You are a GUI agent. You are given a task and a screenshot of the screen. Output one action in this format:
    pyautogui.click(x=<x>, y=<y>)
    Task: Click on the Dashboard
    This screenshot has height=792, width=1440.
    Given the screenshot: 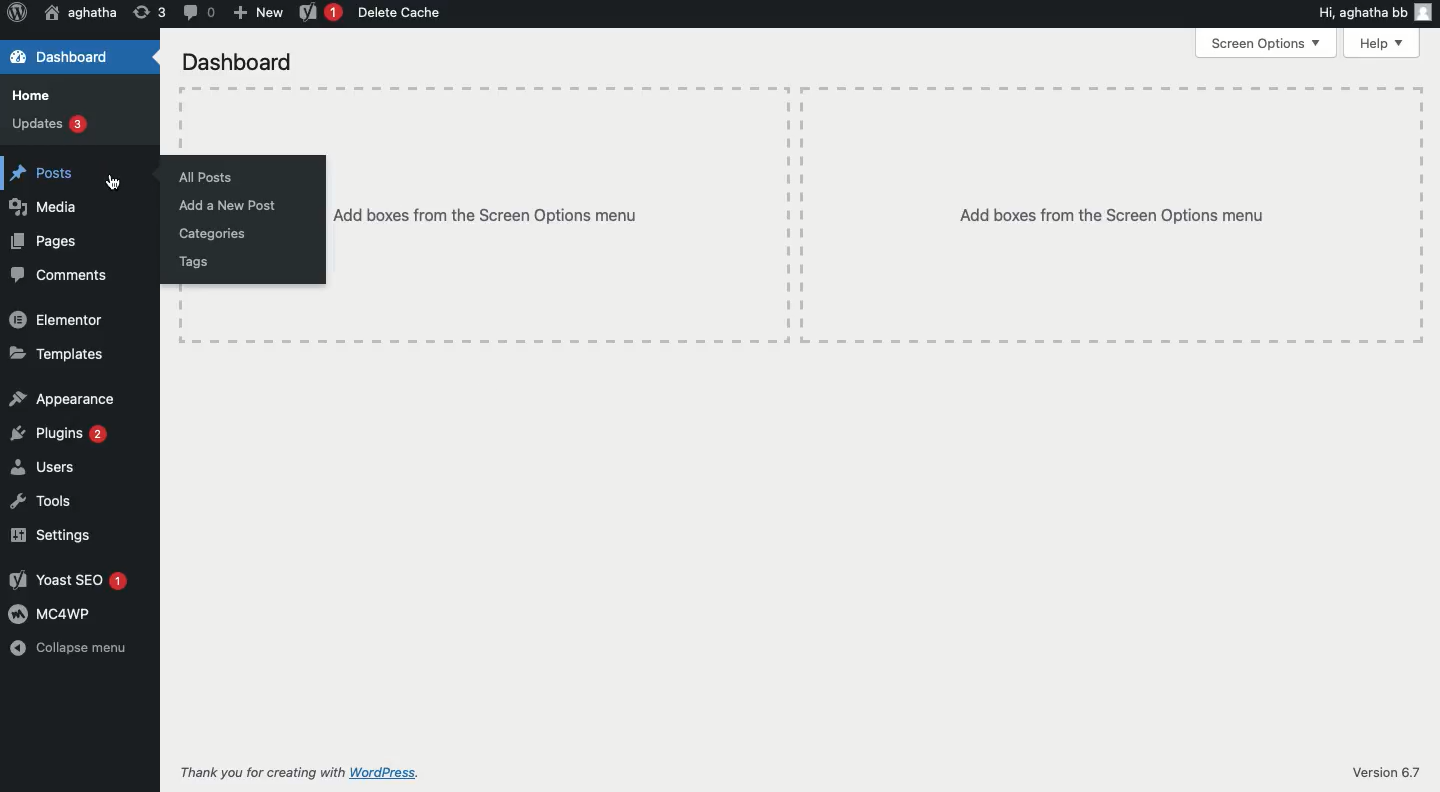 What is the action you would take?
    pyautogui.click(x=236, y=62)
    